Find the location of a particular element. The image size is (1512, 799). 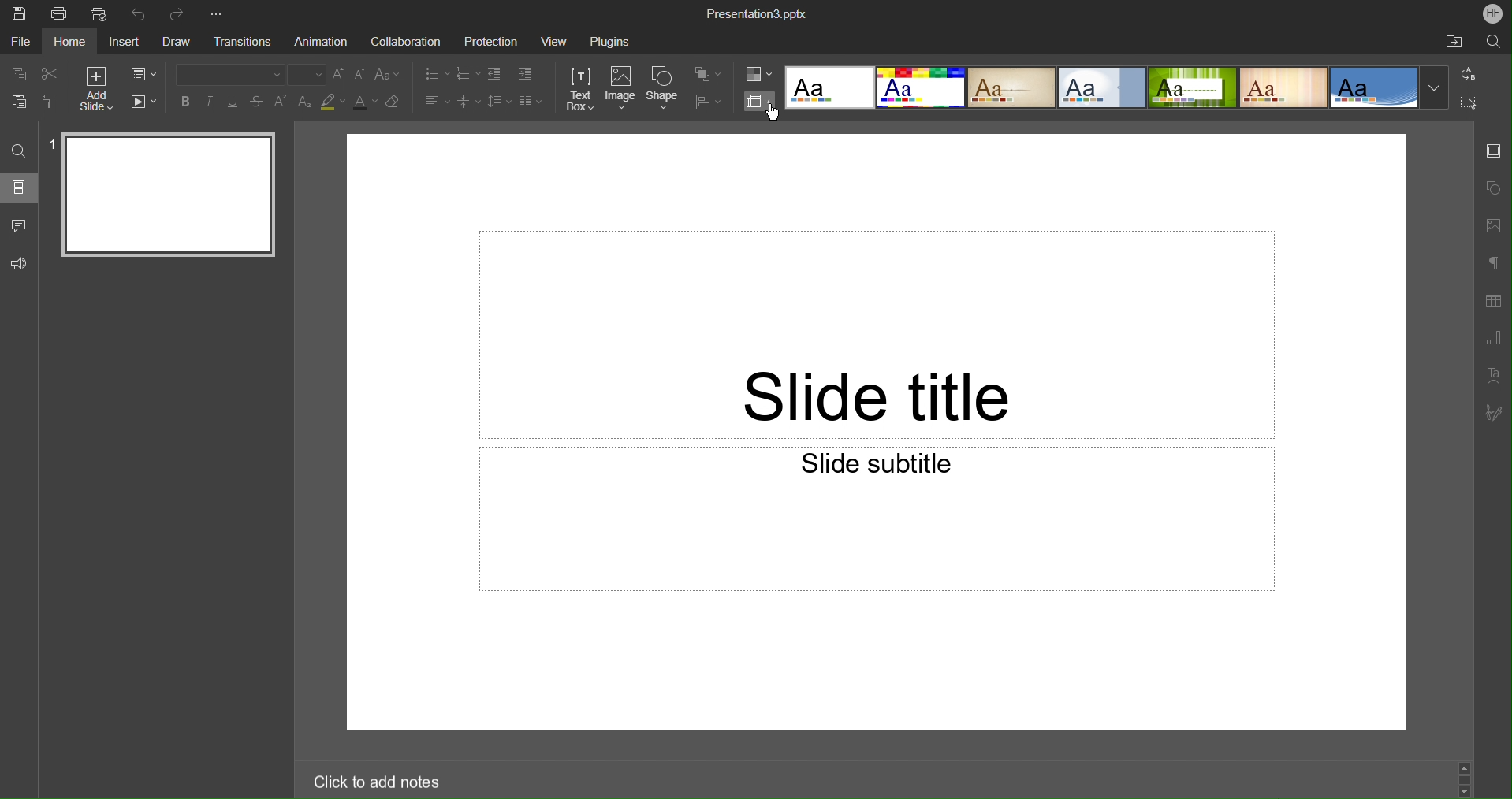

Highlight is located at coordinates (333, 103).